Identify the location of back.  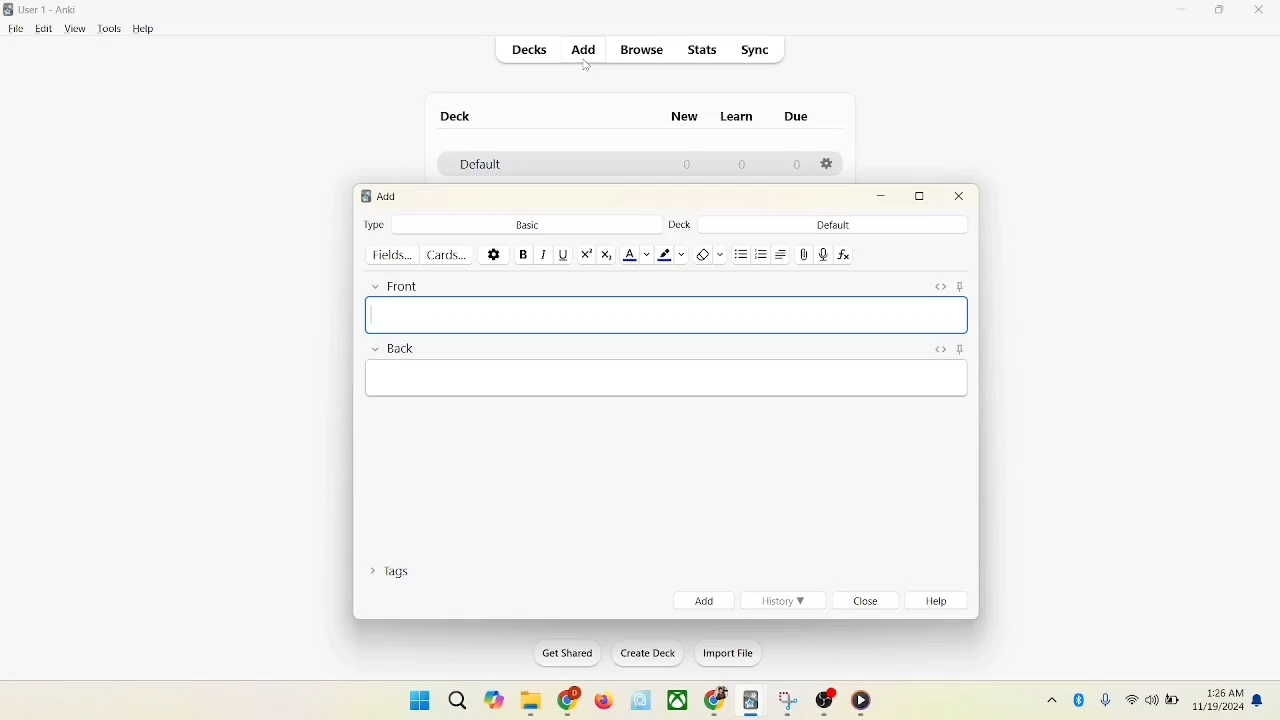
(392, 350).